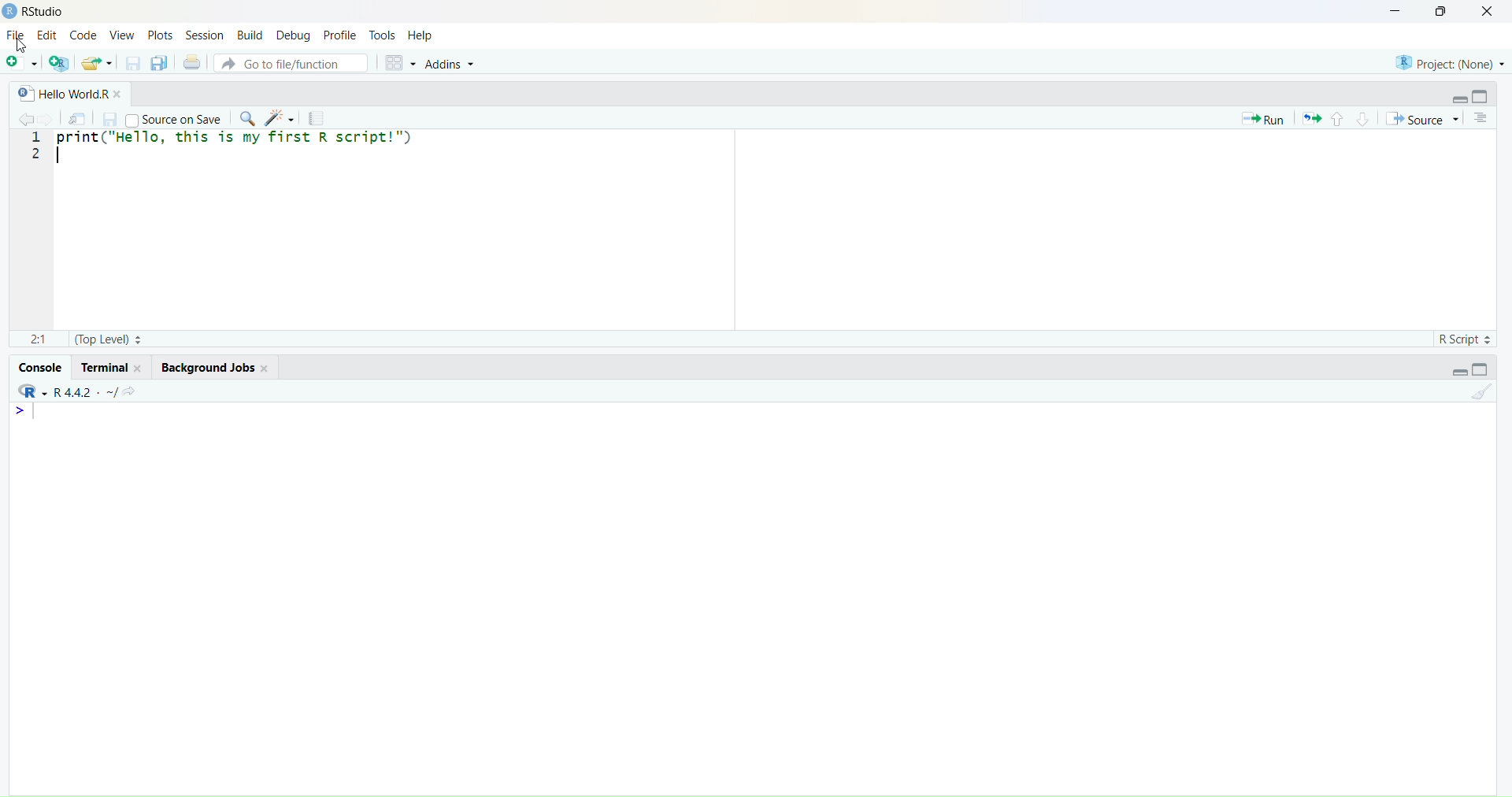 This screenshot has height=797, width=1512. Describe the element at coordinates (47, 36) in the screenshot. I see `Edit` at that location.